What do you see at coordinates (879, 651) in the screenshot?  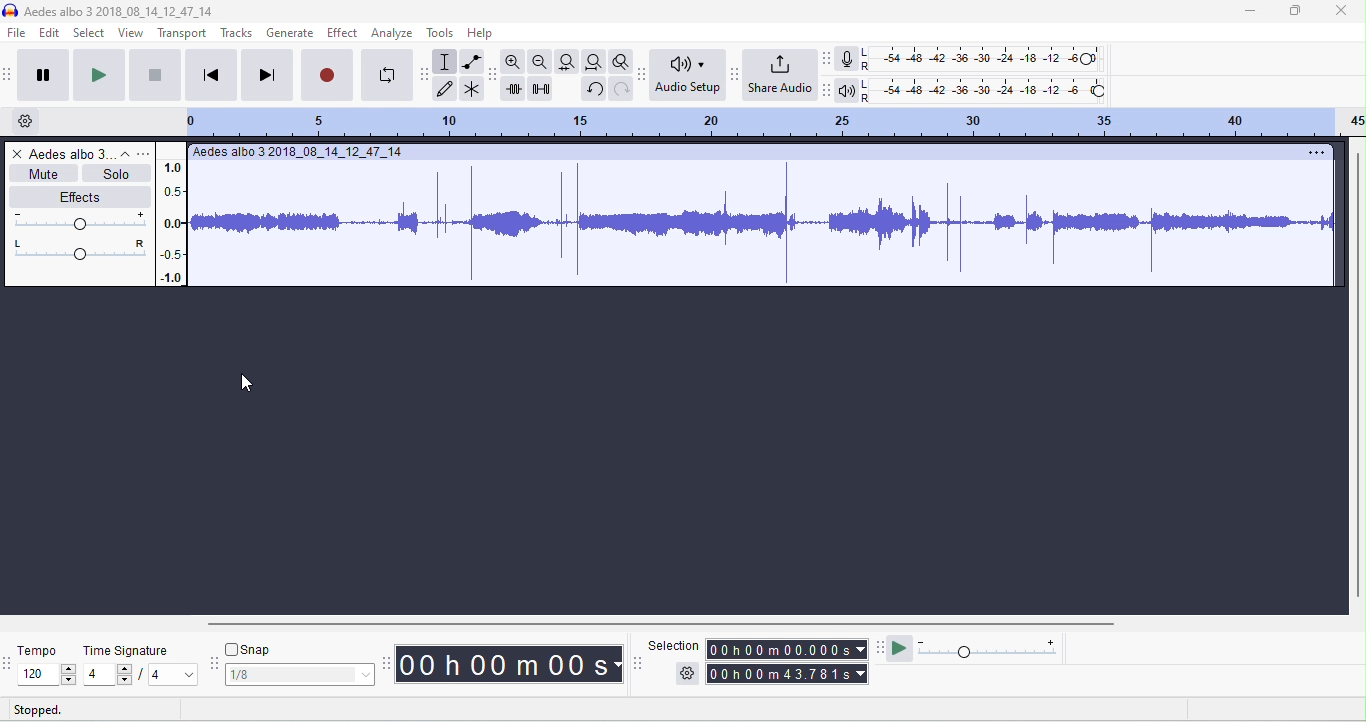 I see `play at speed tool bra` at bounding box center [879, 651].